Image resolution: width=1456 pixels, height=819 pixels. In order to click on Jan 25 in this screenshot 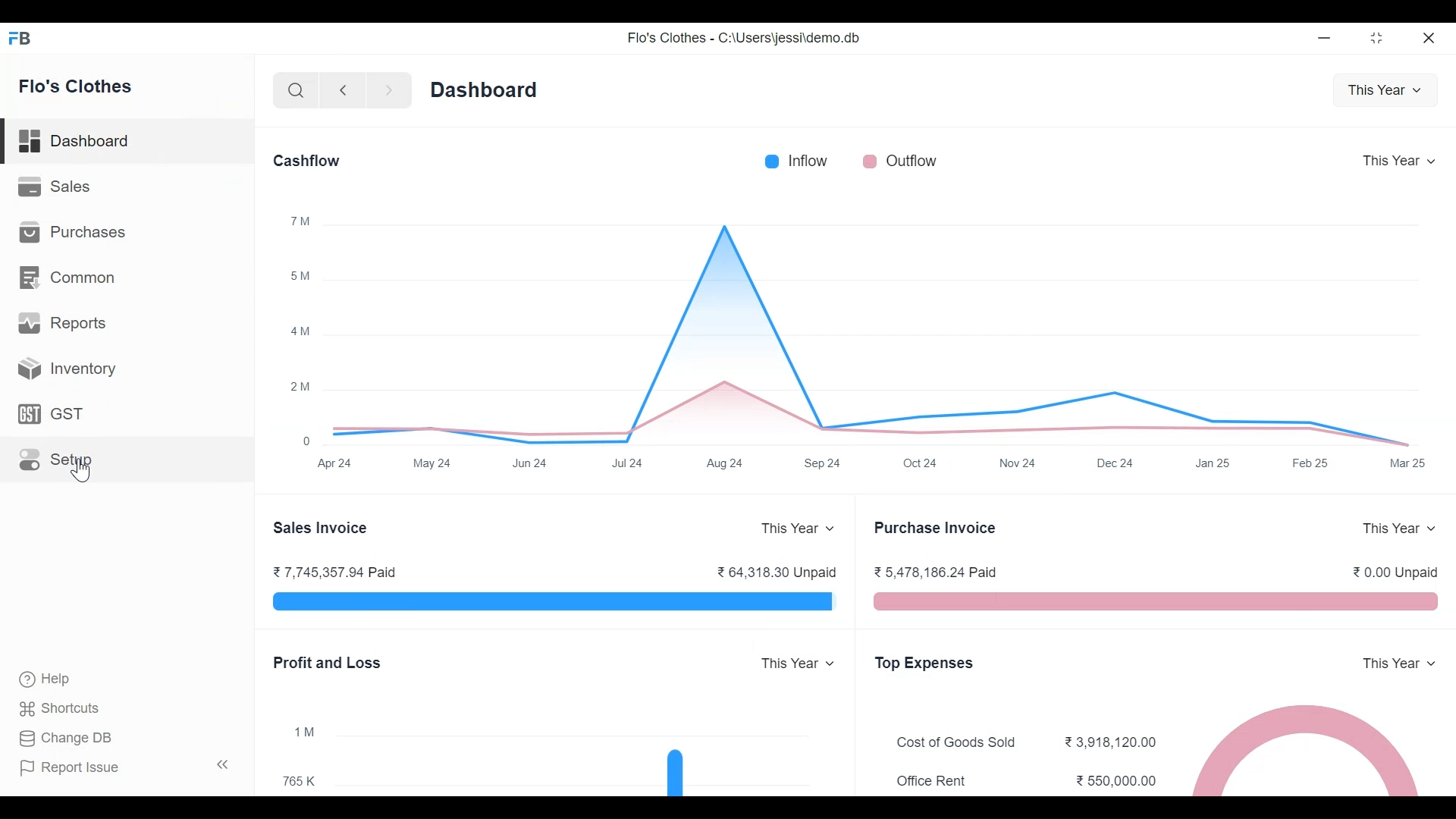, I will do `click(1218, 462)`.